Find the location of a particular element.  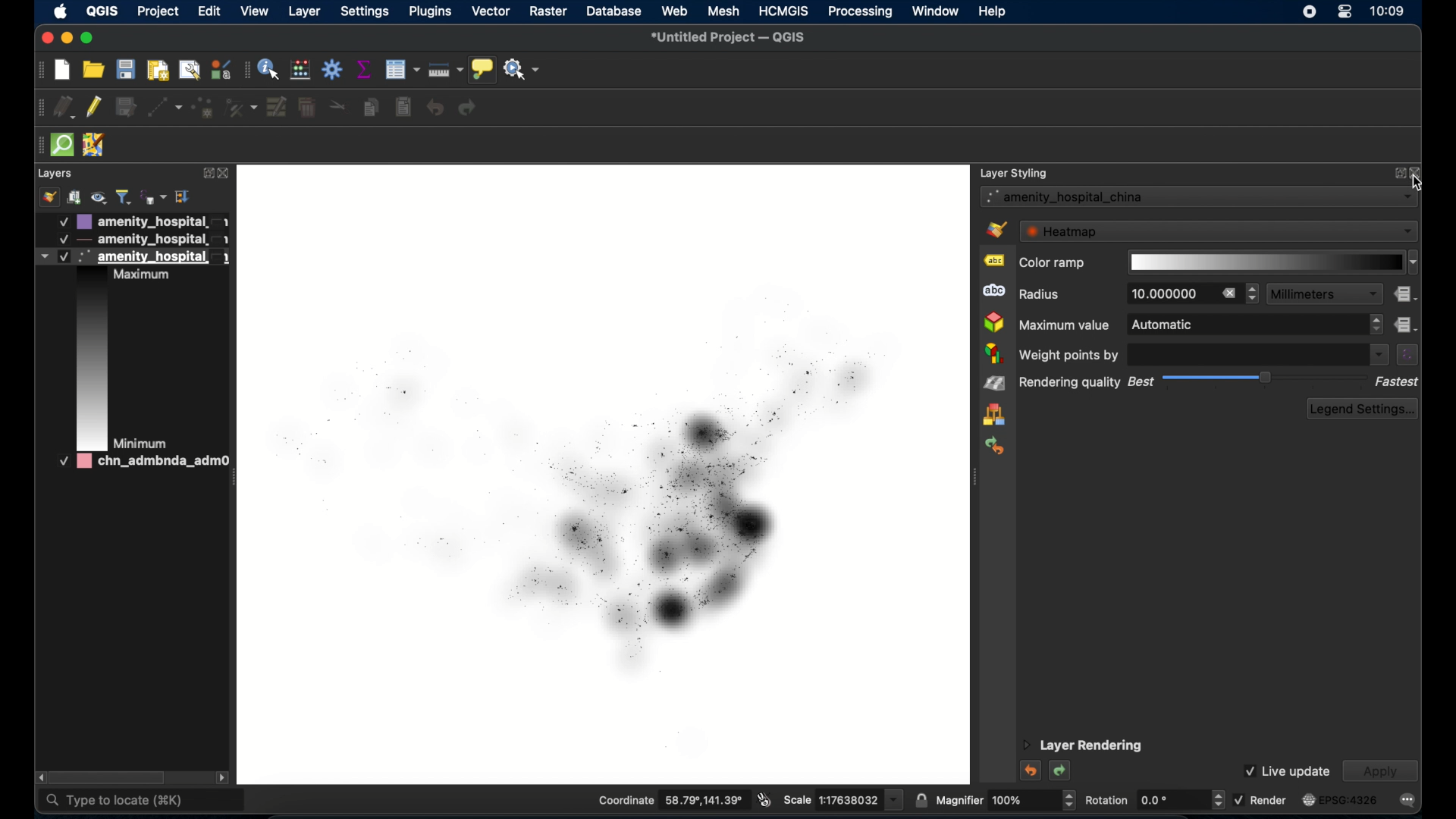

vector is located at coordinates (491, 12).